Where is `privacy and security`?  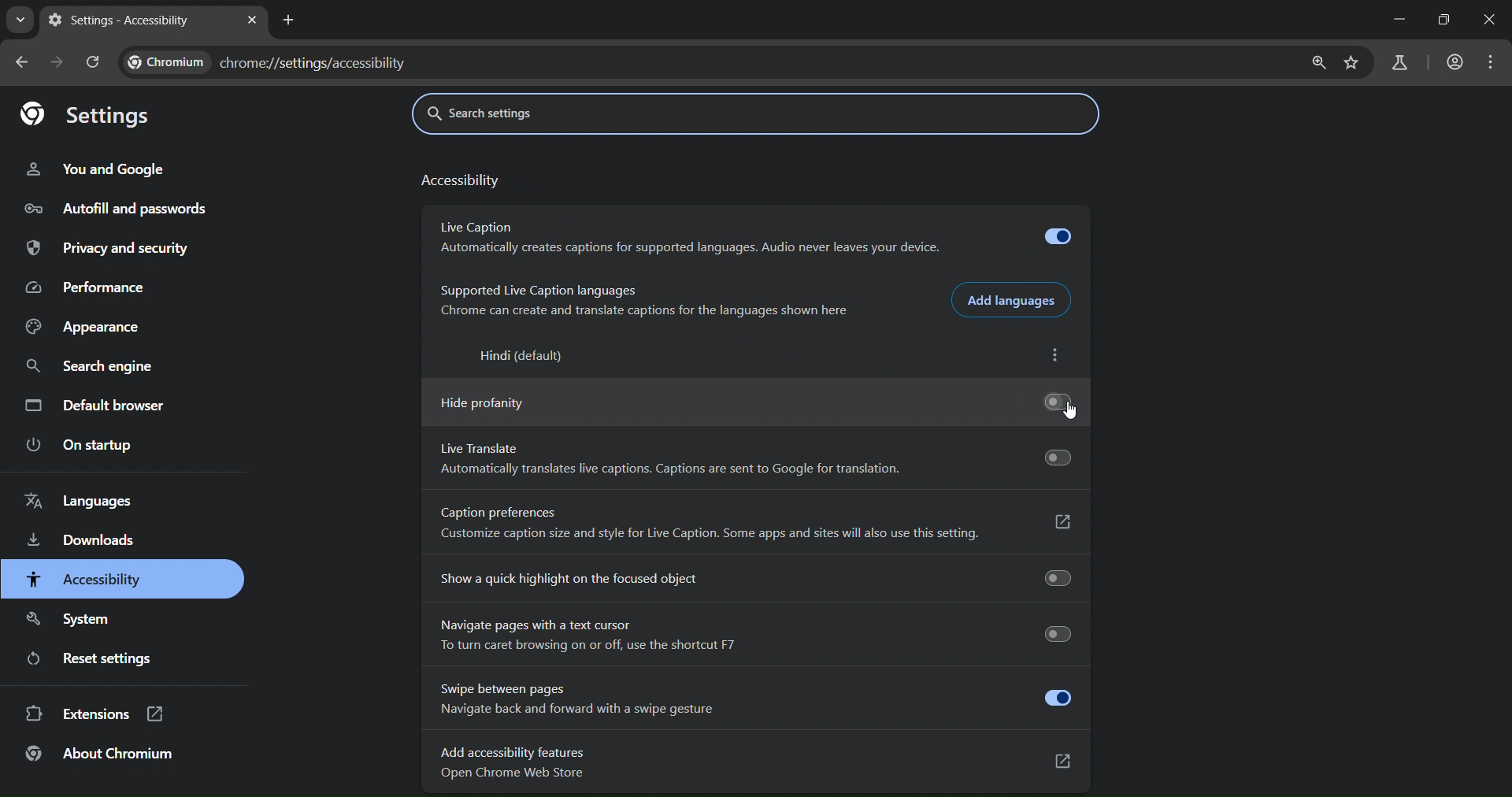 privacy and security is located at coordinates (113, 248).